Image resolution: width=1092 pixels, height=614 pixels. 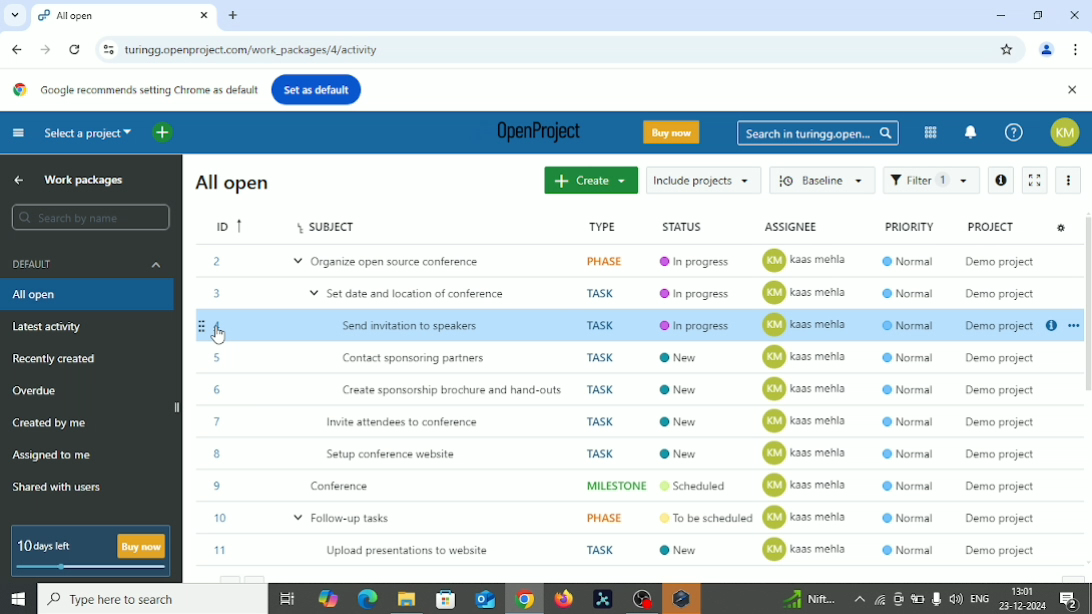 What do you see at coordinates (163, 133) in the screenshot?
I see `Open quick add menu` at bounding box center [163, 133].